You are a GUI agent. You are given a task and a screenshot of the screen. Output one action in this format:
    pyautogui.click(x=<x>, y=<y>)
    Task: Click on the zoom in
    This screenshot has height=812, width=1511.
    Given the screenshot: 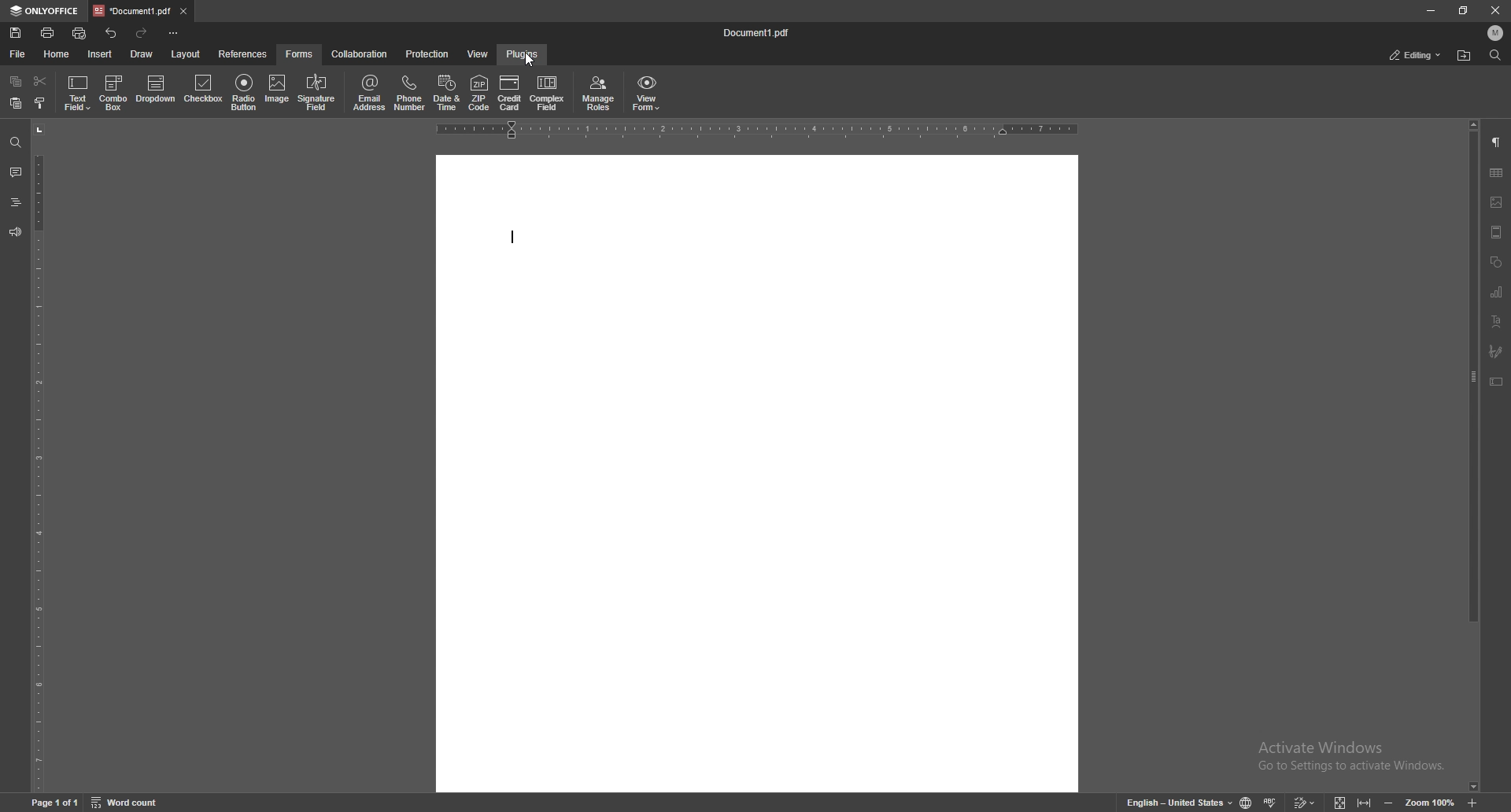 What is the action you would take?
    pyautogui.click(x=1472, y=803)
    